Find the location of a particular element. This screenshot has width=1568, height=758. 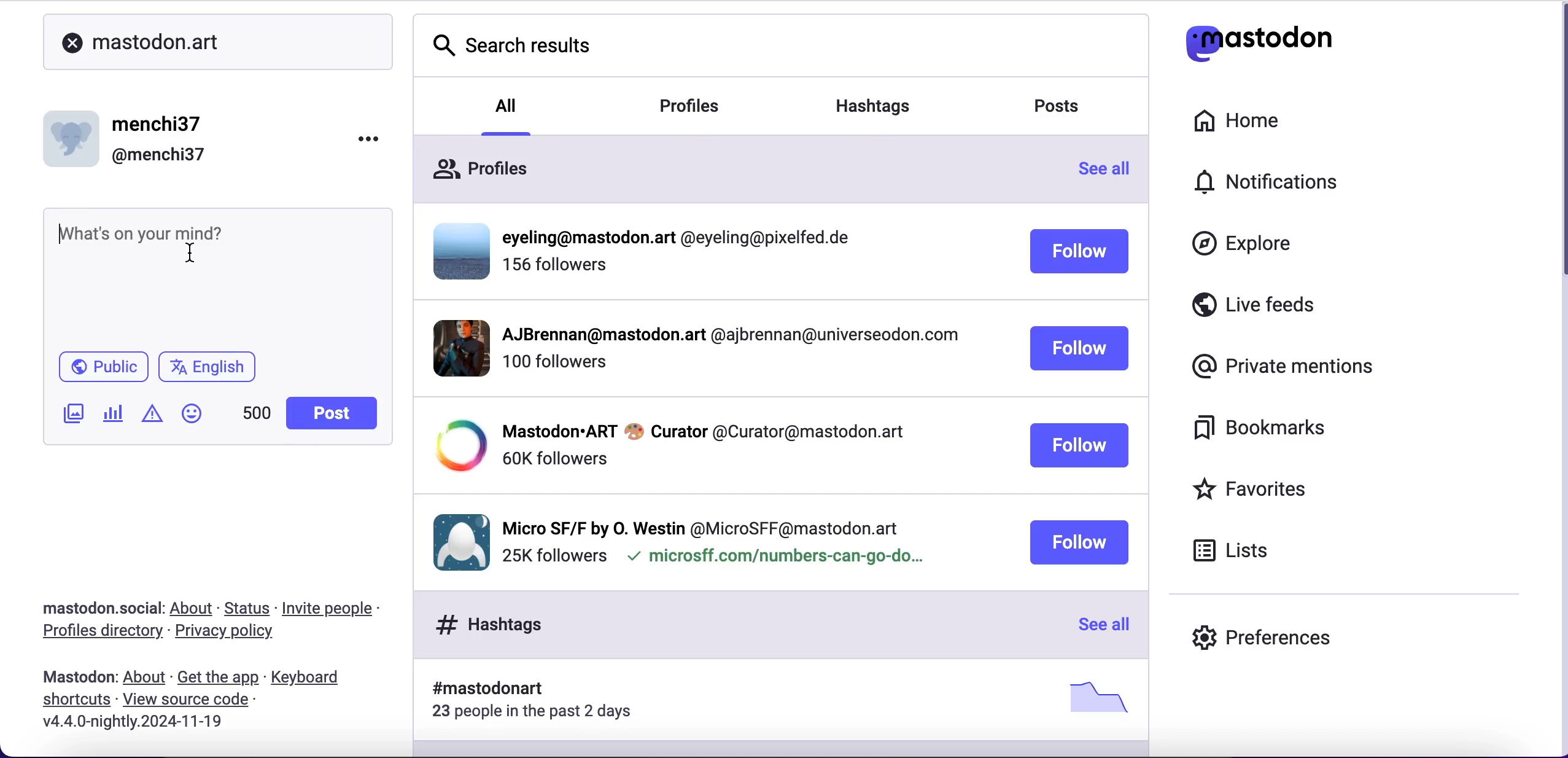

user is located at coordinates (132, 141).